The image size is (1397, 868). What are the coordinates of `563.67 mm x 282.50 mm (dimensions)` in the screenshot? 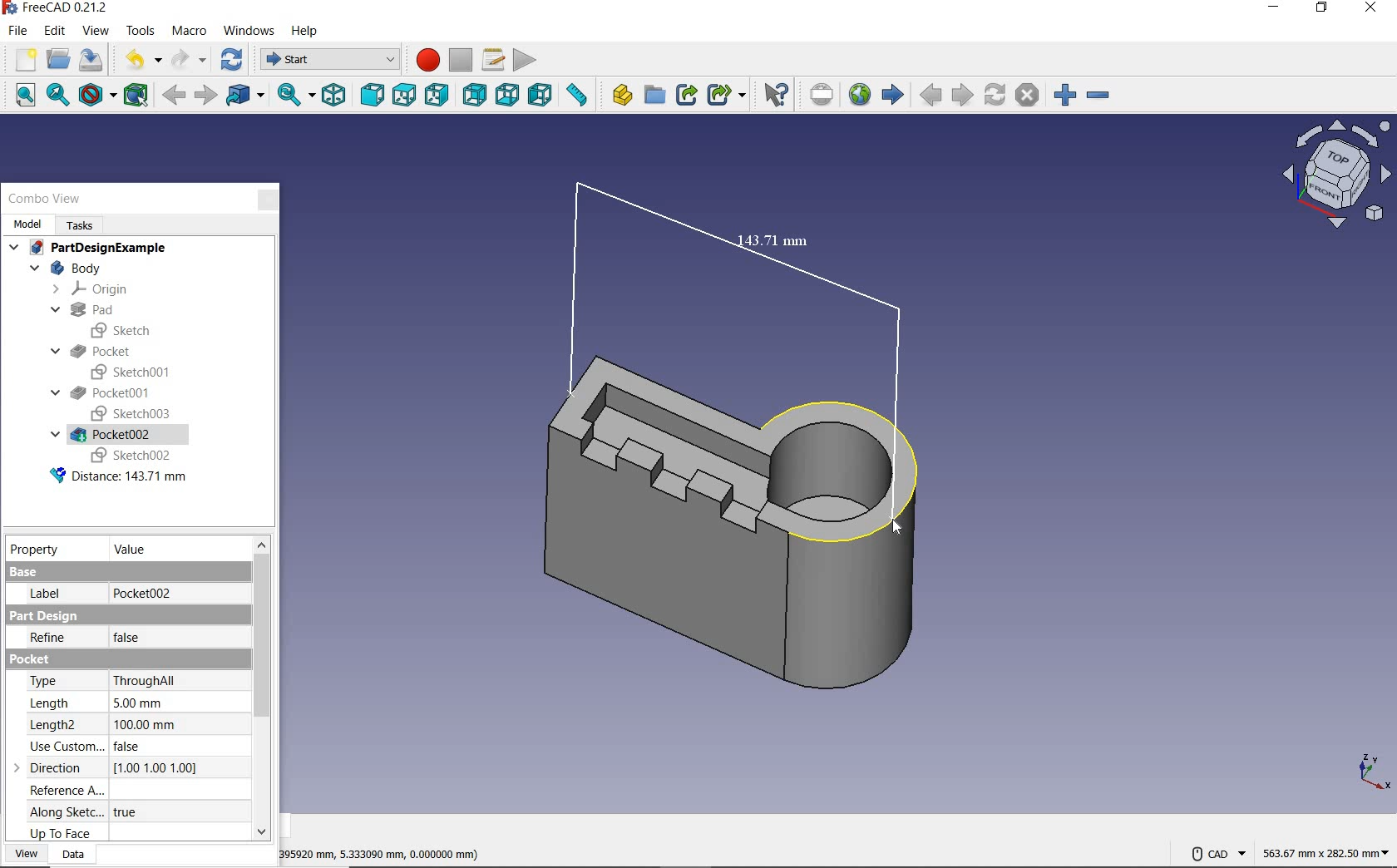 It's located at (1322, 848).